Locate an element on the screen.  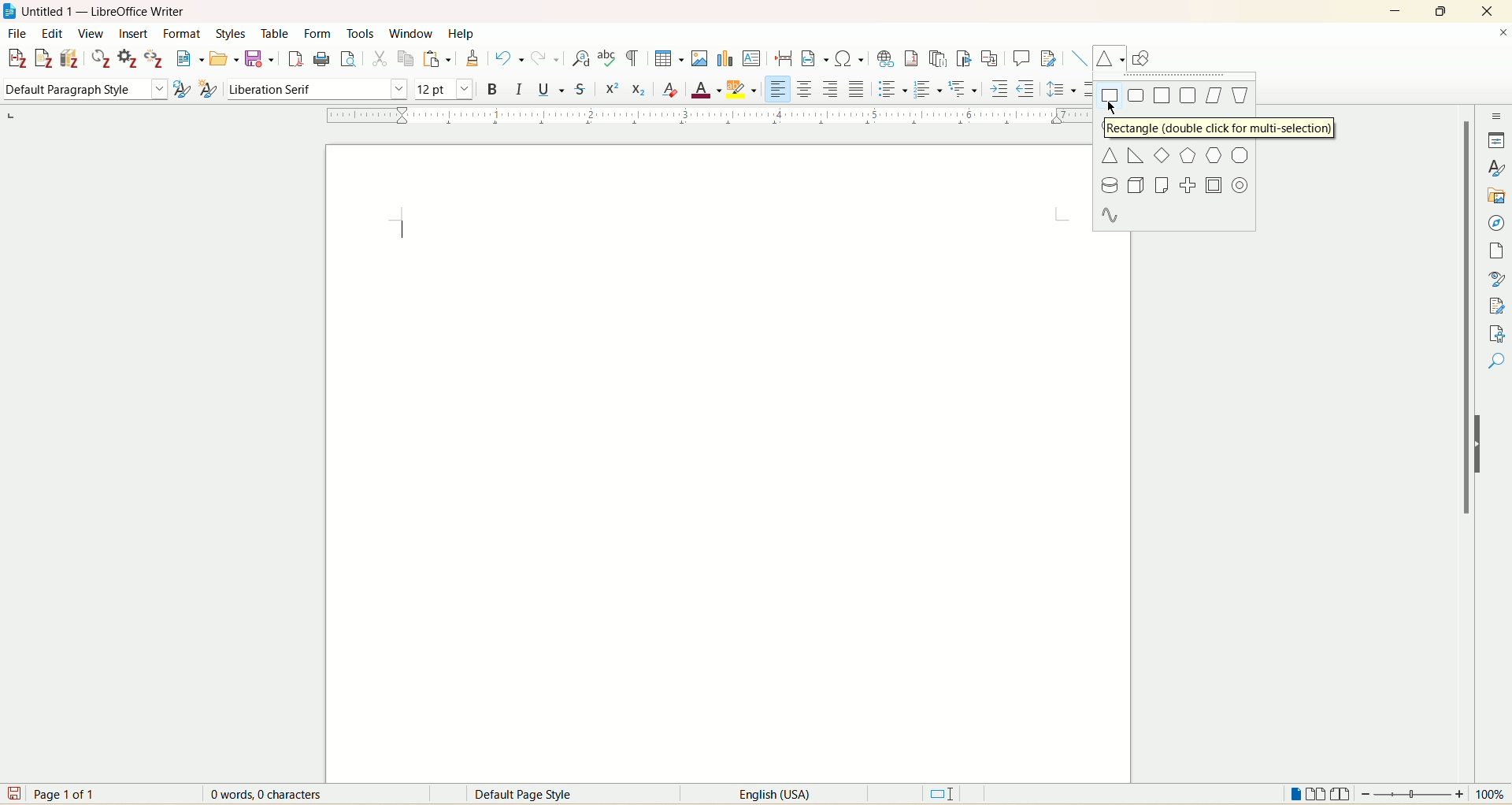
help is located at coordinates (461, 33).